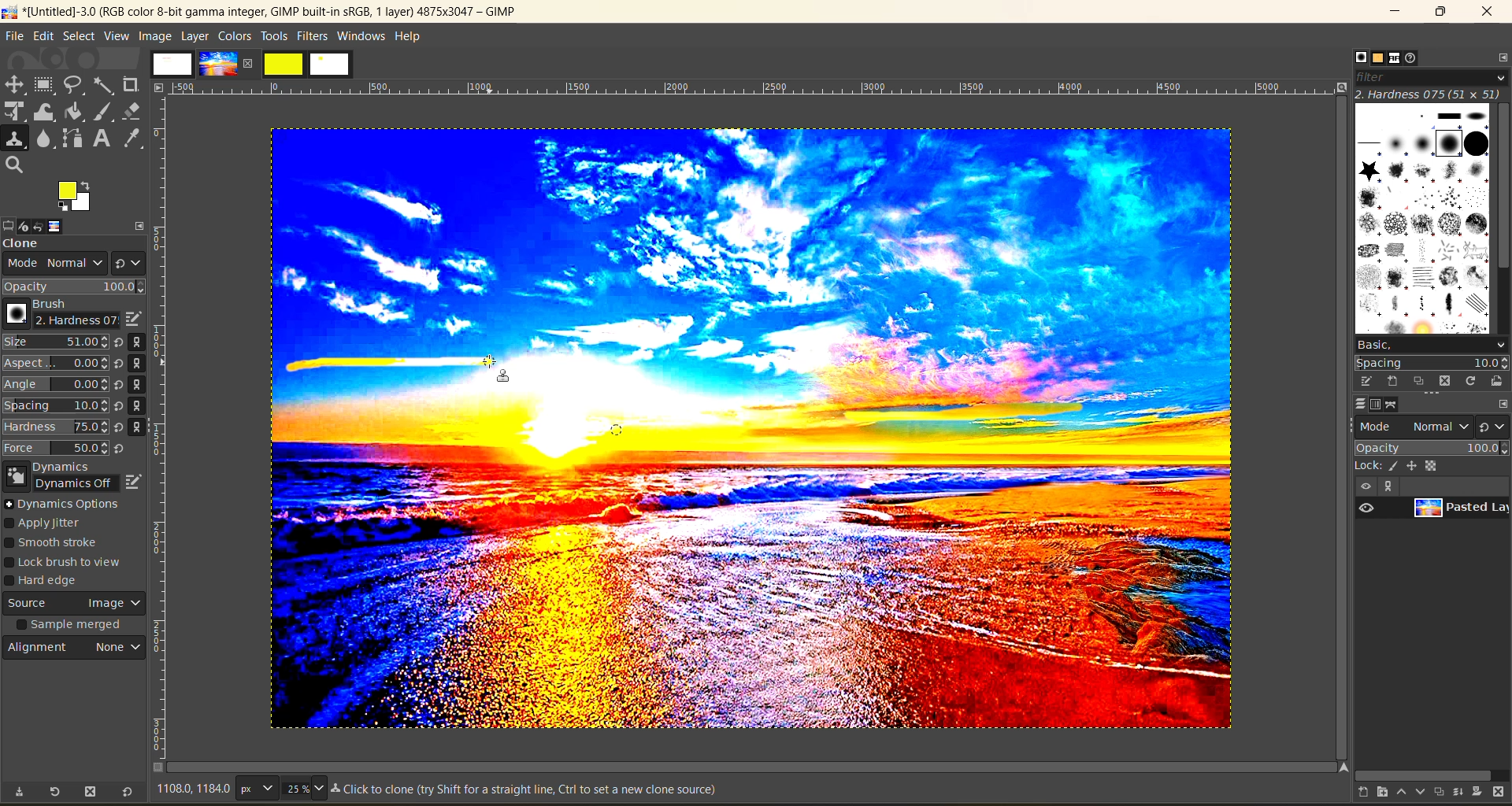 Image resolution: width=1512 pixels, height=806 pixels. I want to click on edit, so click(43, 35).